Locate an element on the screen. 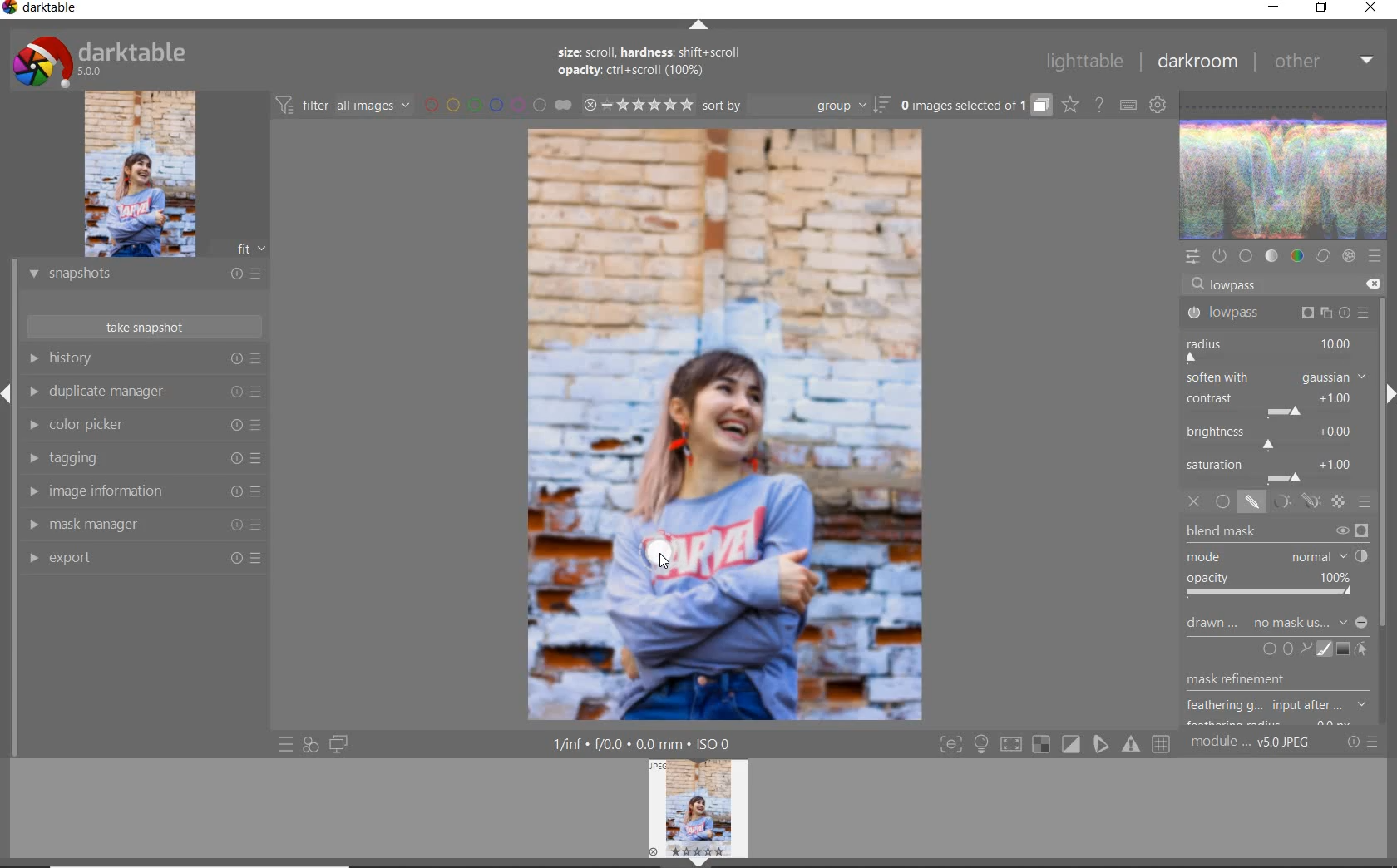  feathering g... is located at coordinates (1279, 706).